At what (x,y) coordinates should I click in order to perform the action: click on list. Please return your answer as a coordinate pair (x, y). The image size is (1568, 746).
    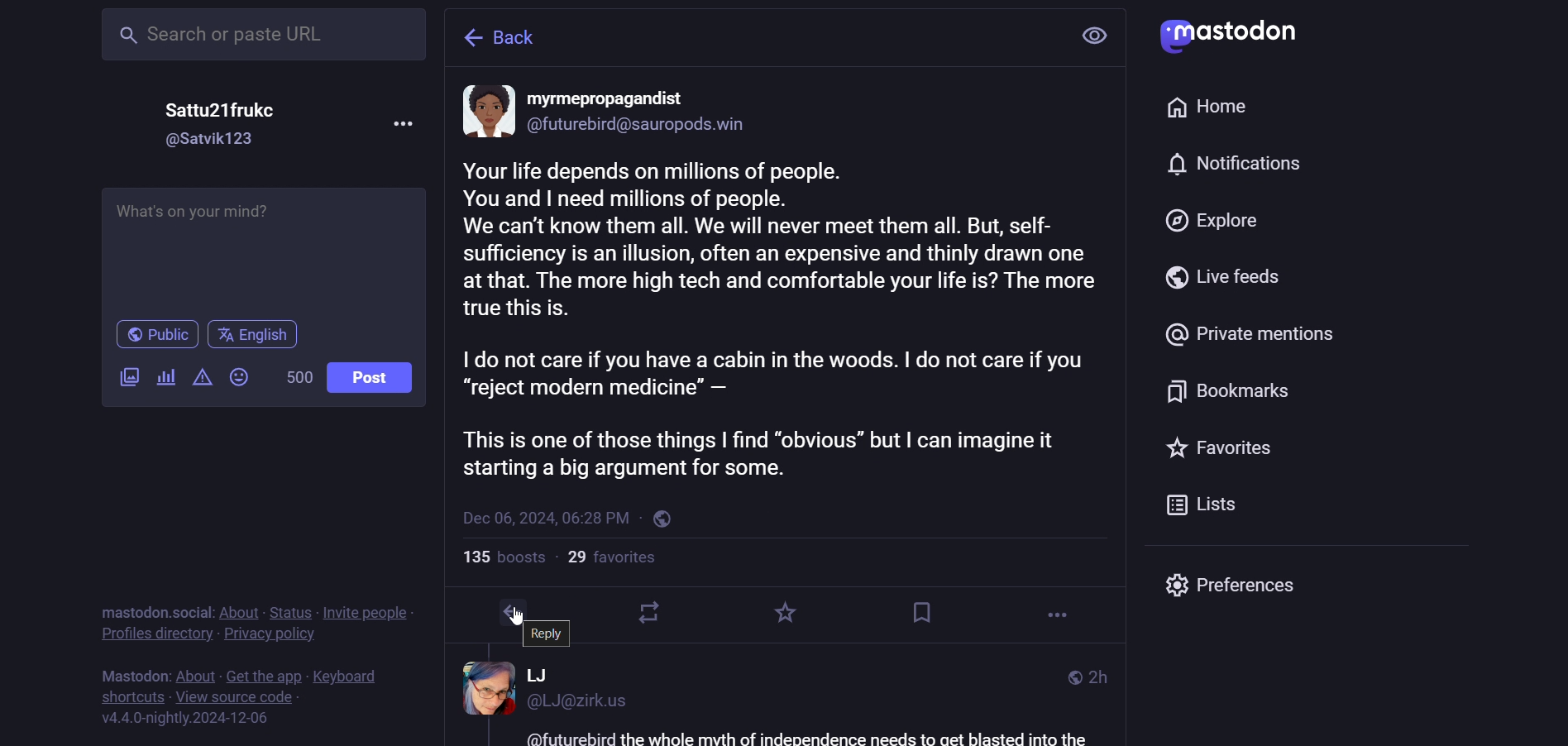
    Looking at the image, I should click on (1207, 505).